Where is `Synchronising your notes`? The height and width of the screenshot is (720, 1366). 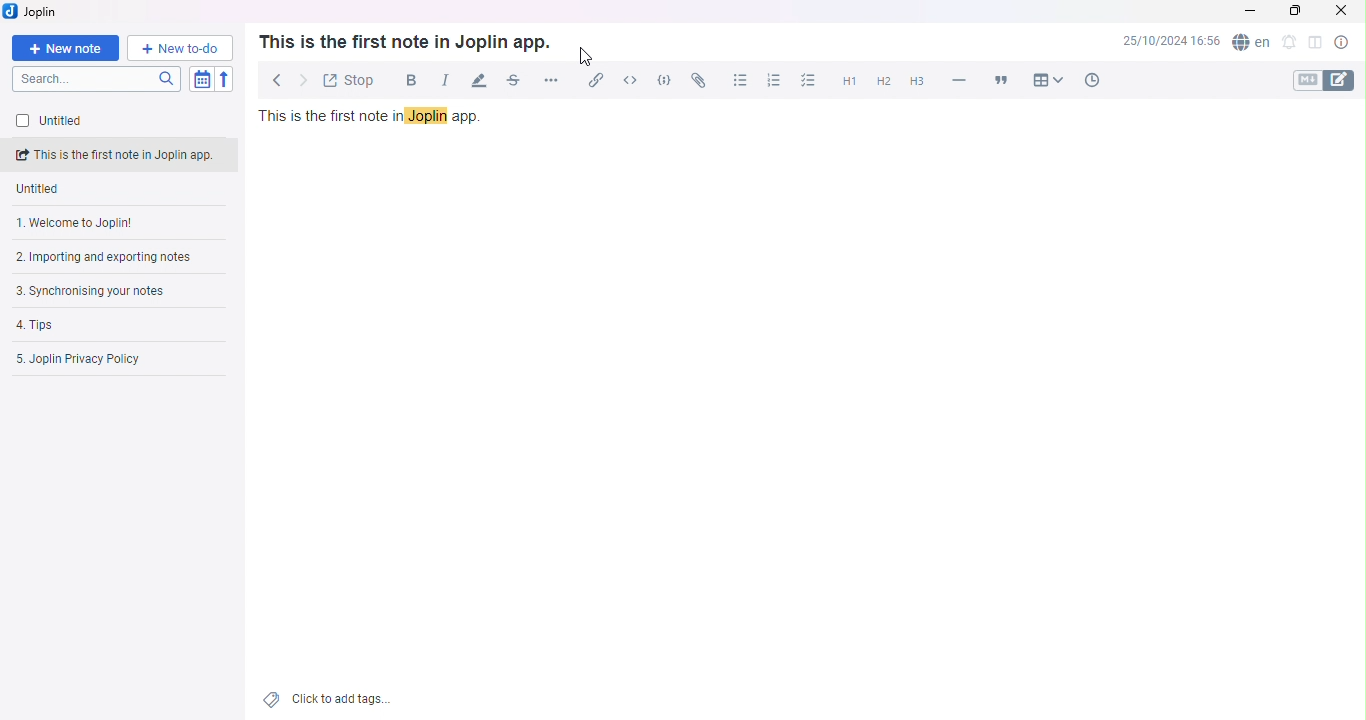 Synchronising your notes is located at coordinates (103, 290).